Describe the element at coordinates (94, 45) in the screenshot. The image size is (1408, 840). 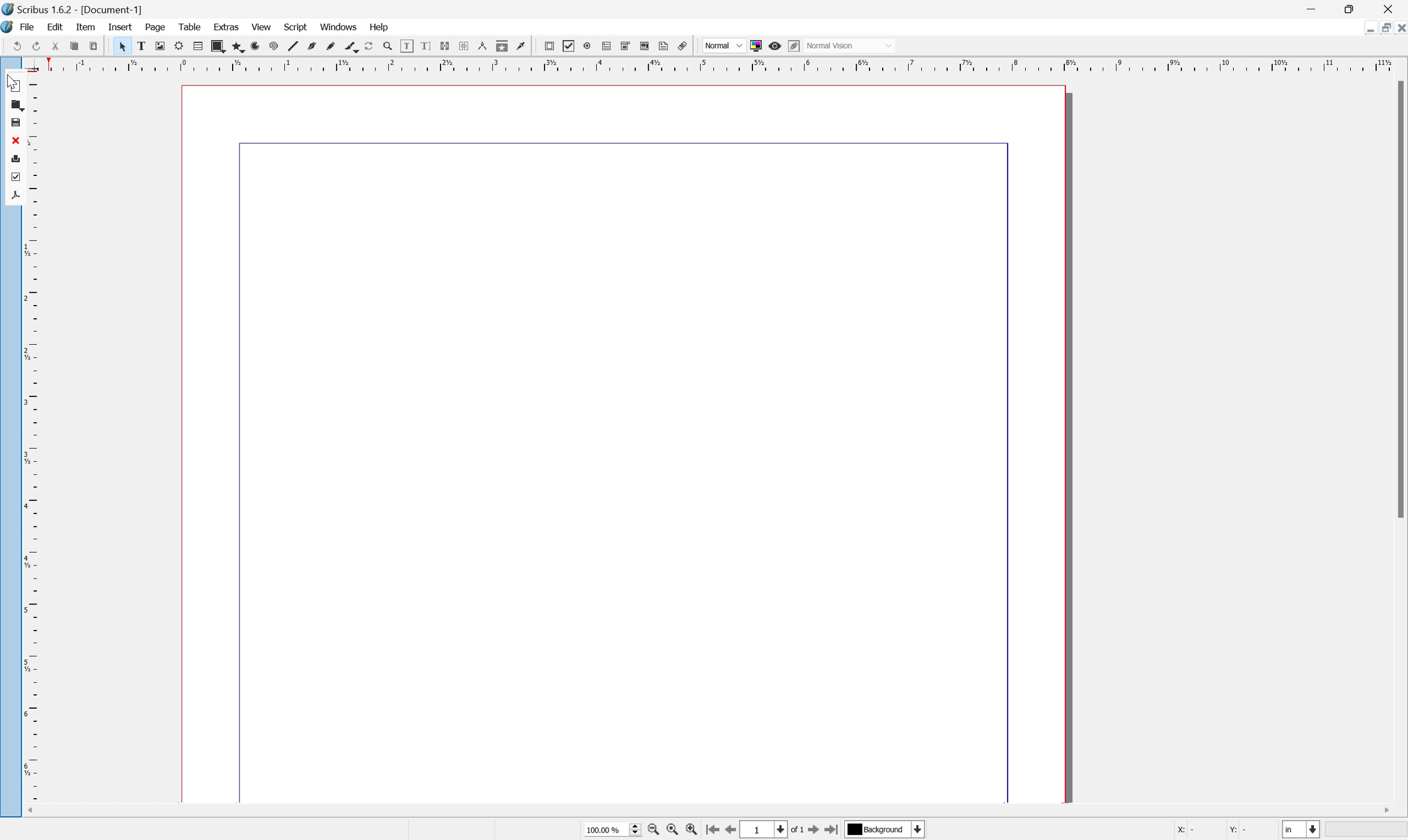
I see `print` at that location.